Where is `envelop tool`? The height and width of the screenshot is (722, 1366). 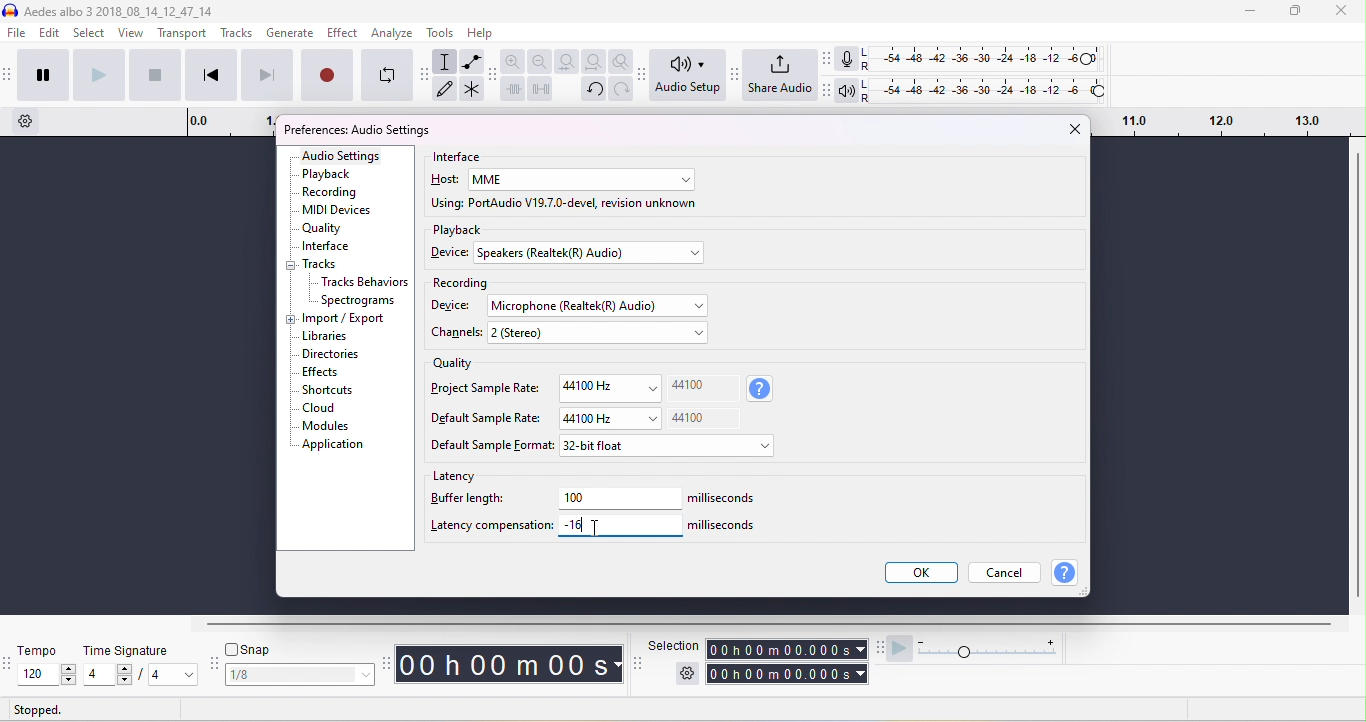 envelop tool is located at coordinates (473, 63).